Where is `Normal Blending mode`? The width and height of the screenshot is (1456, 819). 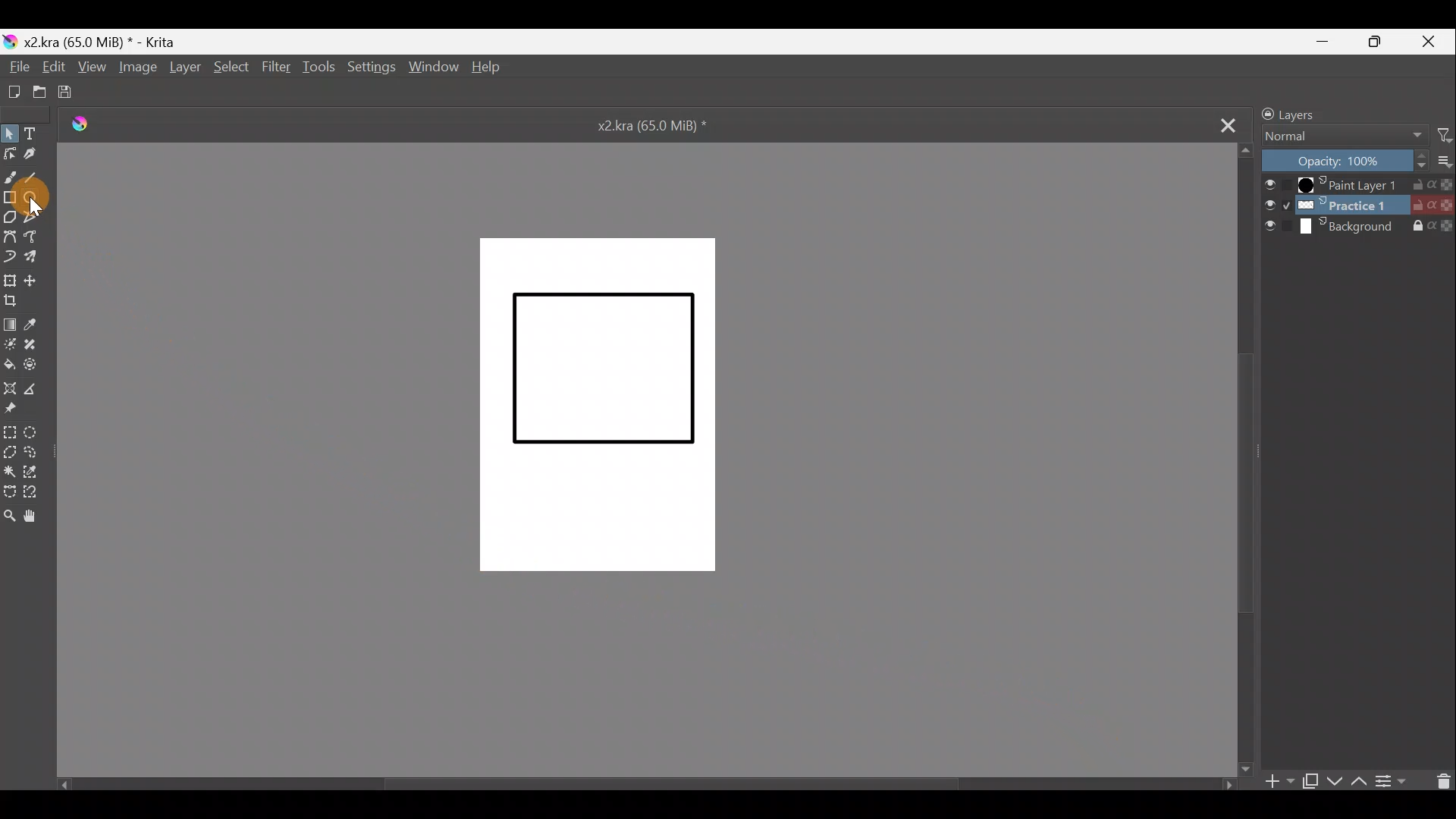
Normal Blending mode is located at coordinates (1343, 136).